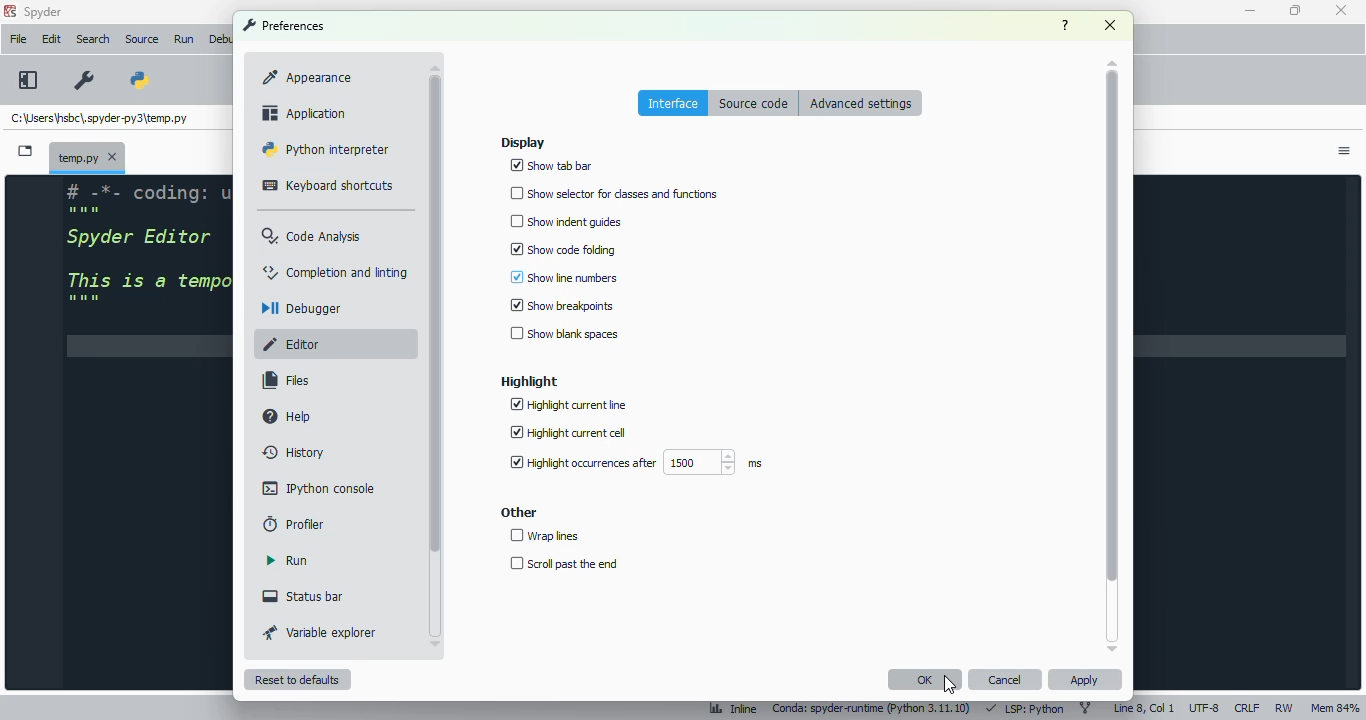  What do you see at coordinates (10, 11) in the screenshot?
I see `logo` at bounding box center [10, 11].